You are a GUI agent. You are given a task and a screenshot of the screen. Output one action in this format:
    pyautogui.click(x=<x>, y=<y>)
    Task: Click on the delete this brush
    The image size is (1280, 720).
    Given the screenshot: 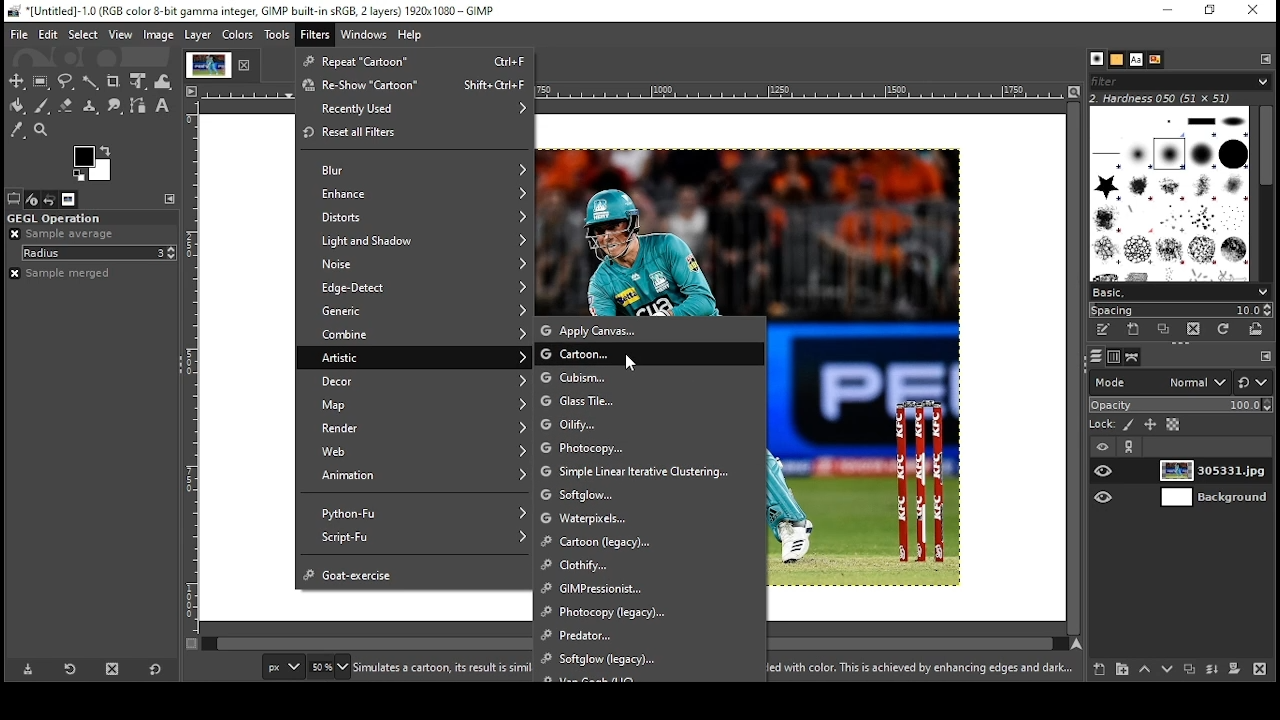 What is the action you would take?
    pyautogui.click(x=1194, y=328)
    